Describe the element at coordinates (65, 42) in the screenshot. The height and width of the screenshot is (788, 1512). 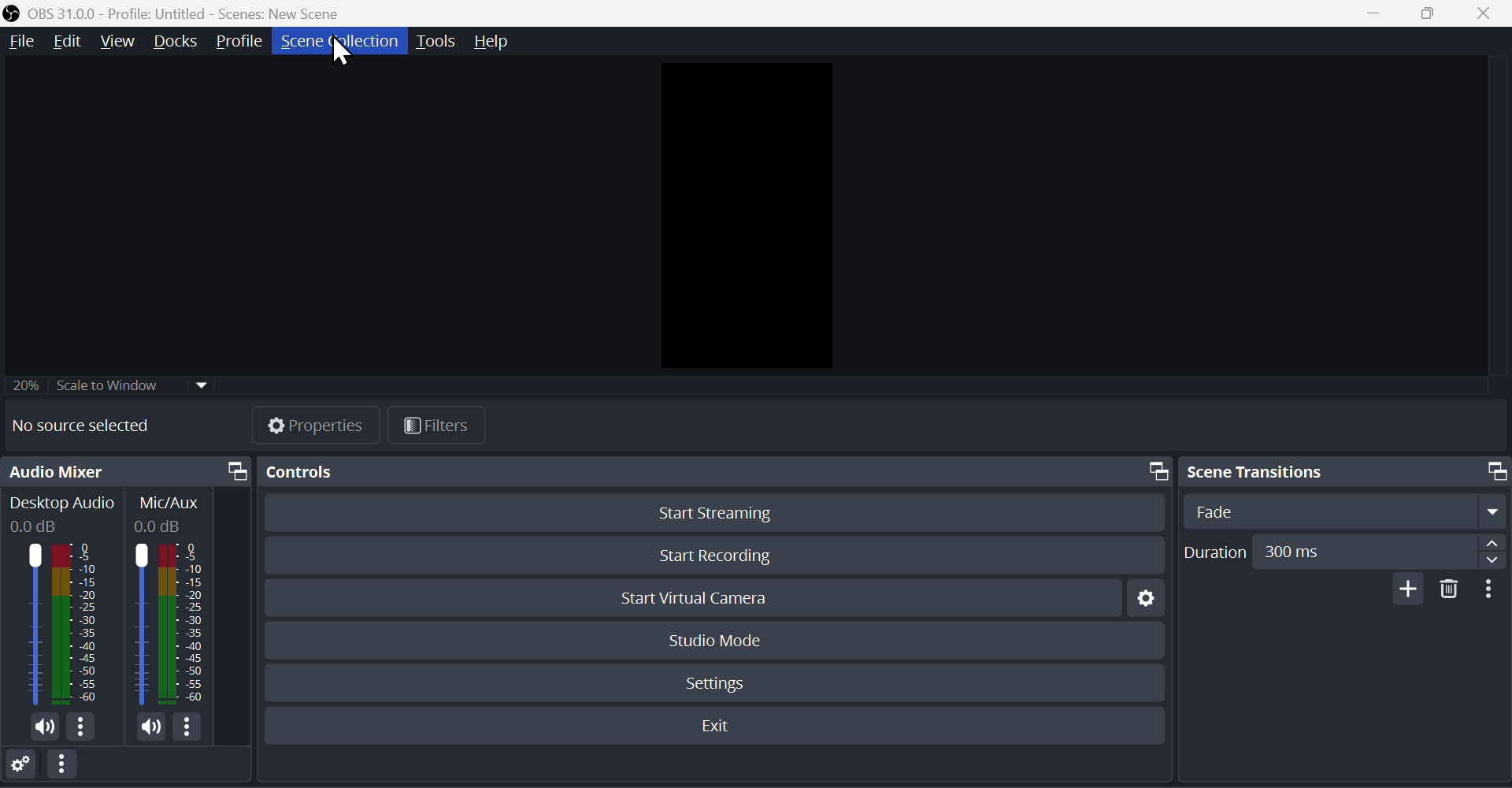
I see `Edit` at that location.